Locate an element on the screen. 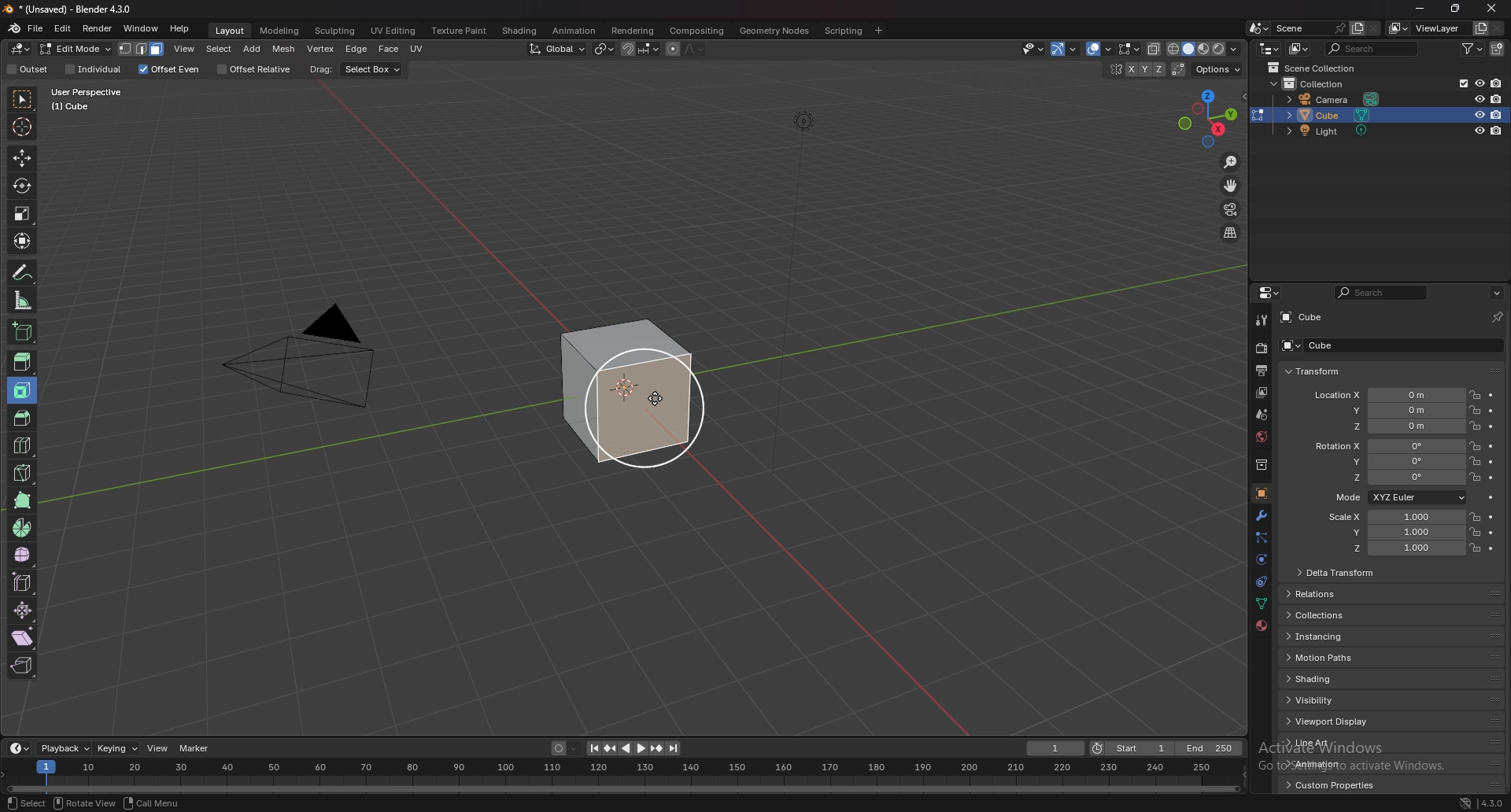 The image size is (1511, 812). rotation y is located at coordinates (1392, 460).